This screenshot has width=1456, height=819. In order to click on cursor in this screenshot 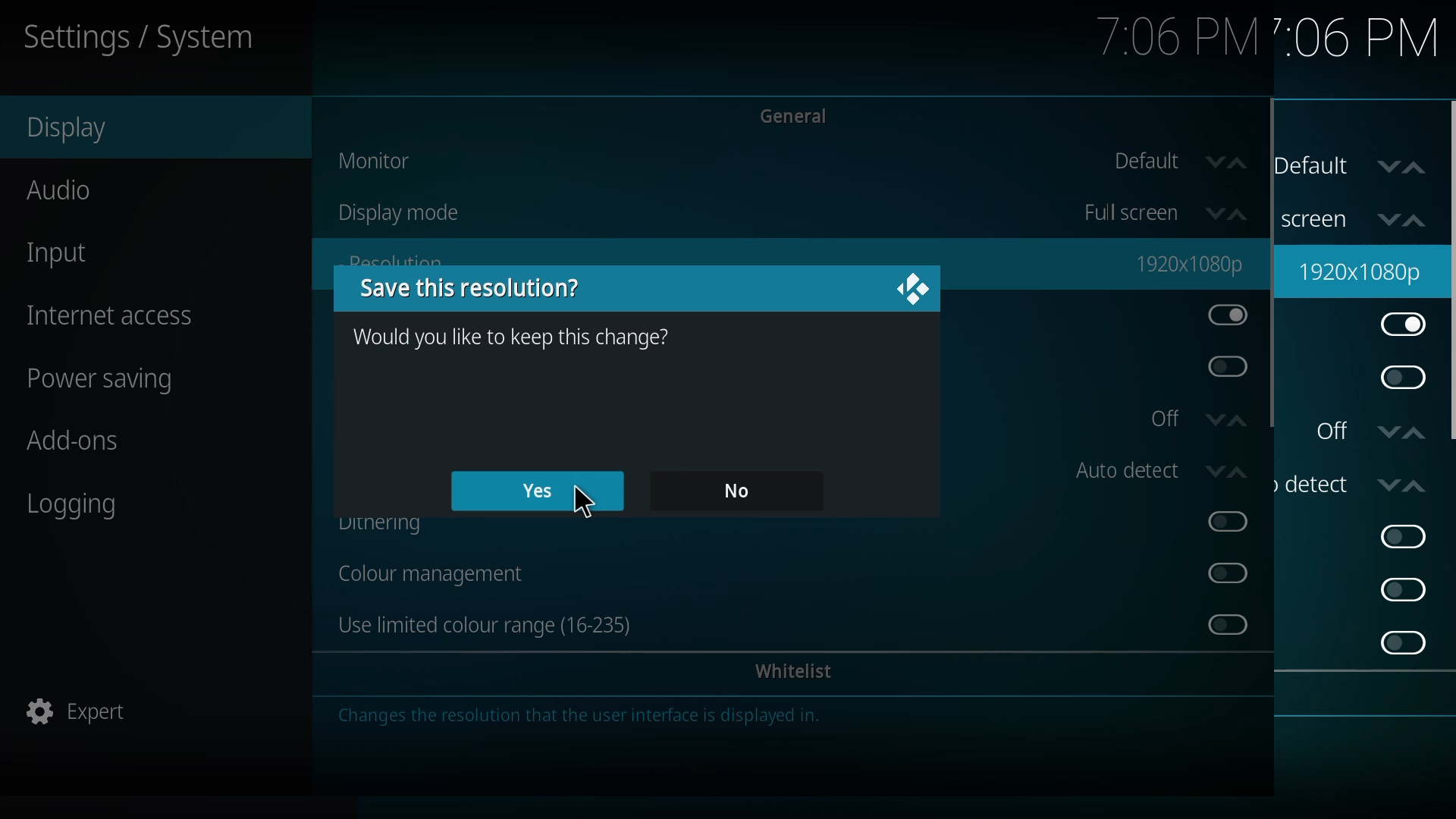, I will do `click(581, 505)`.